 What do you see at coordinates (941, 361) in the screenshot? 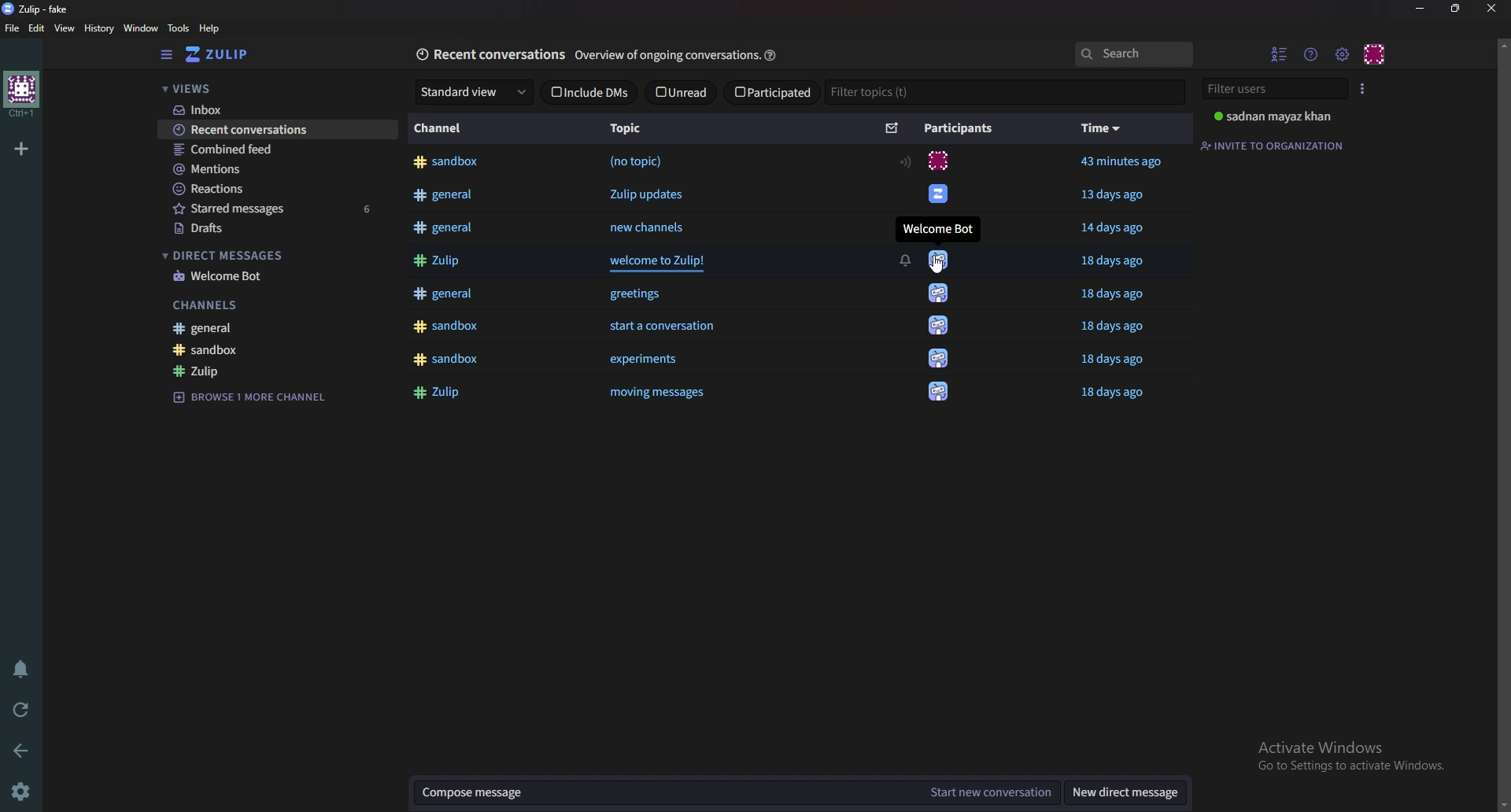
I see `icon` at bounding box center [941, 361].